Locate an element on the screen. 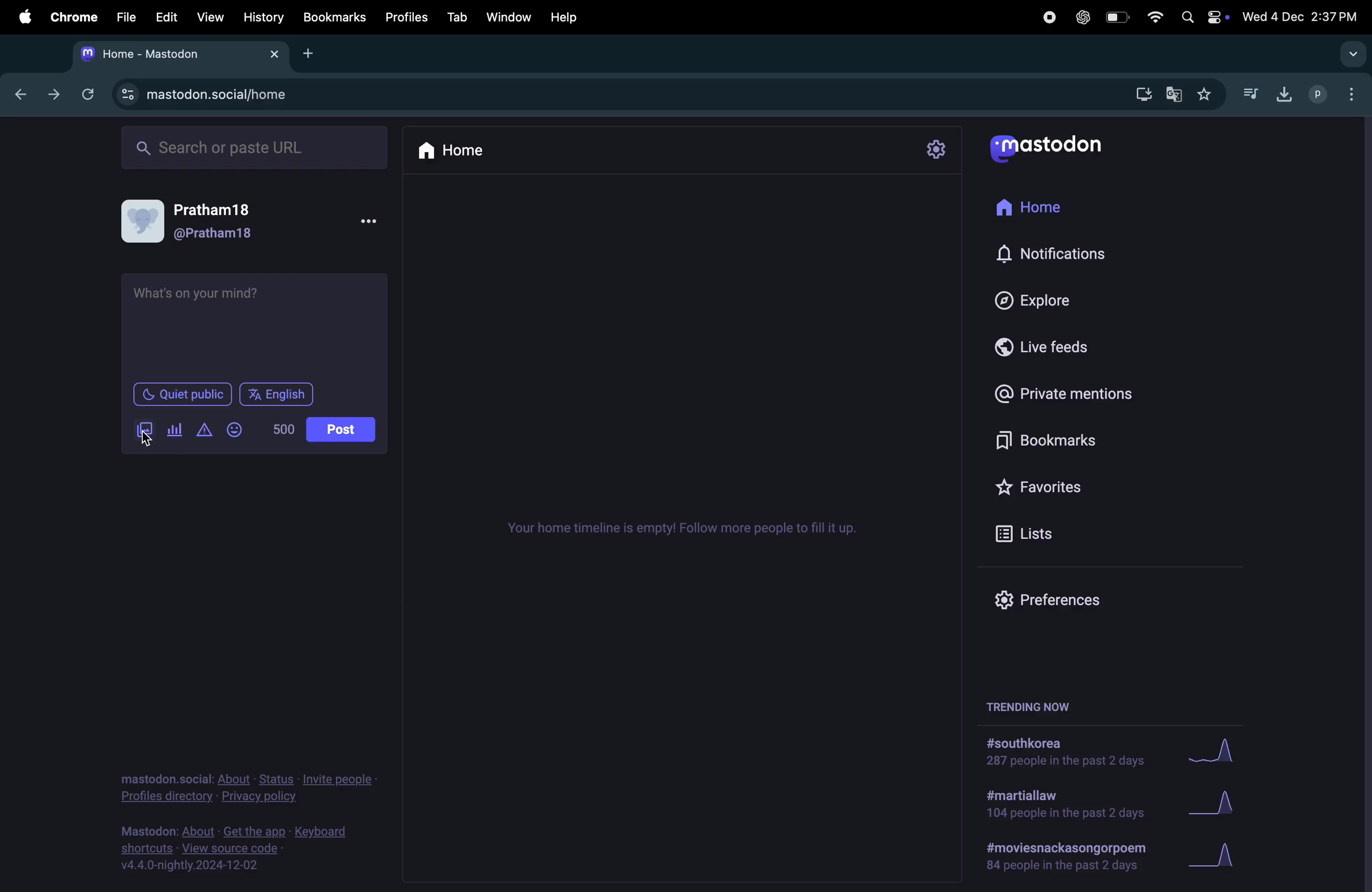 The width and height of the screenshot is (1372, 892). trending now is located at coordinates (1045, 705).